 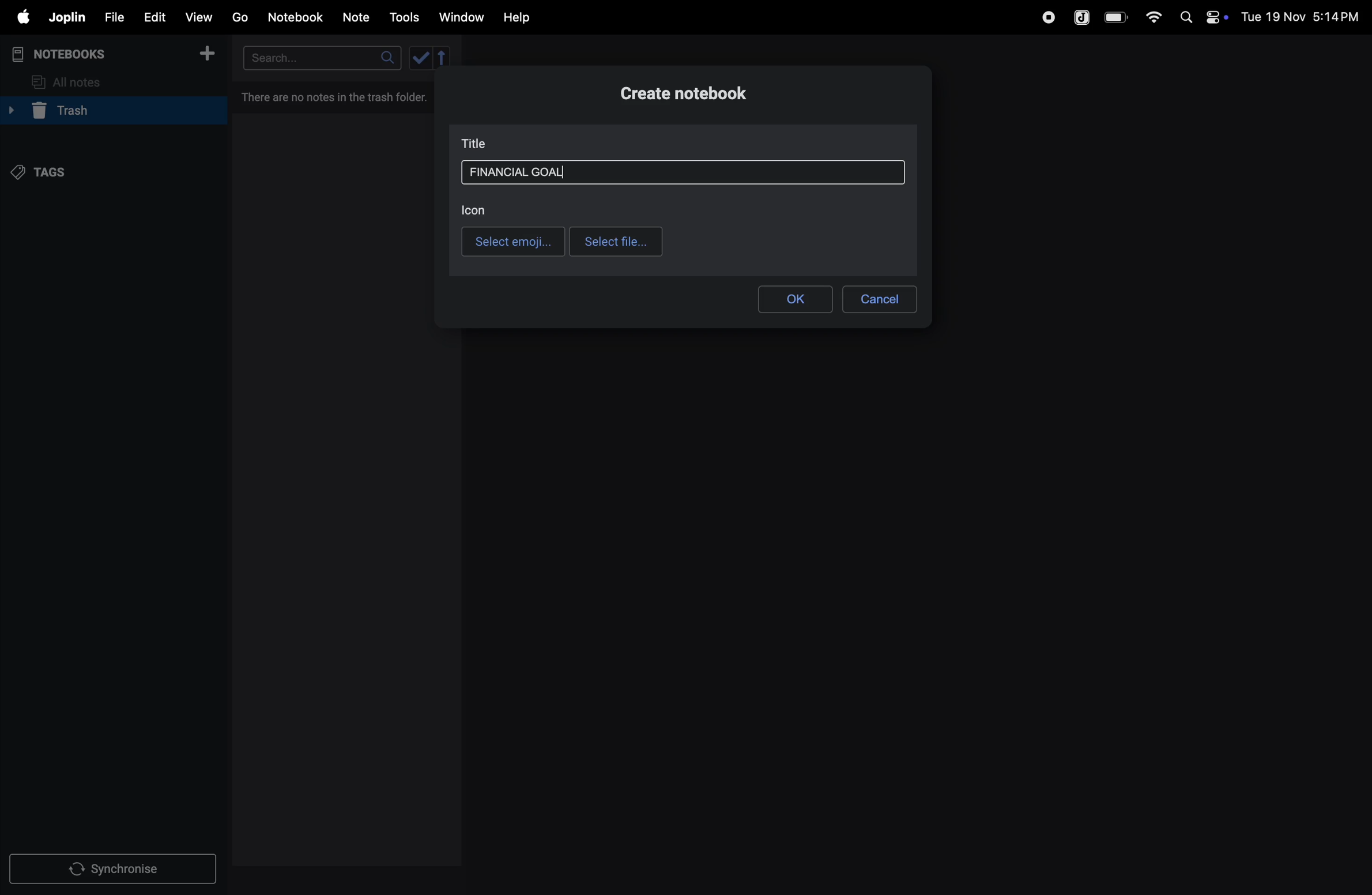 I want to click on there are no notes in trash folder, so click(x=337, y=99).